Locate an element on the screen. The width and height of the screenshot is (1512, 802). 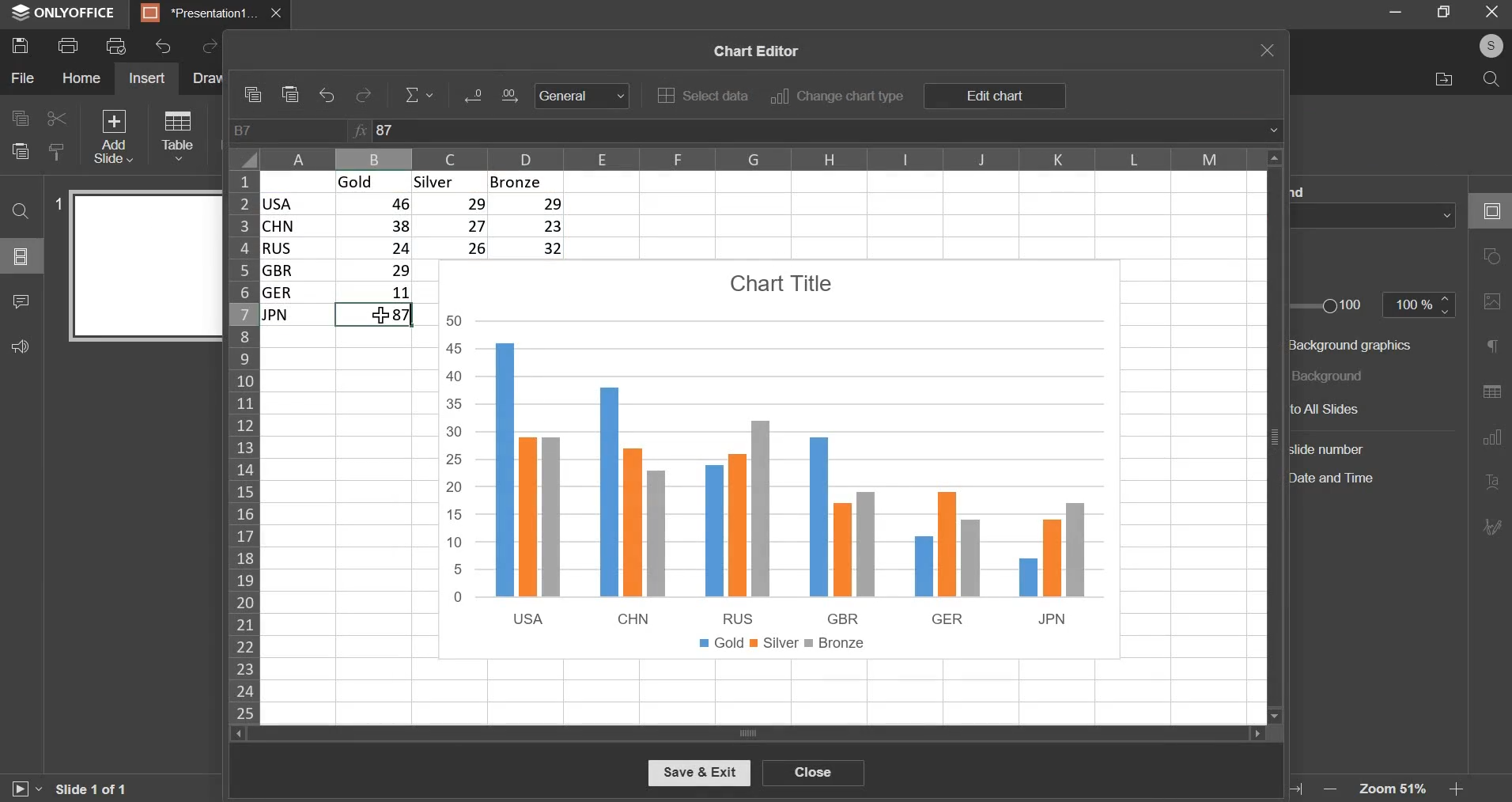
copy style is located at coordinates (57, 150).